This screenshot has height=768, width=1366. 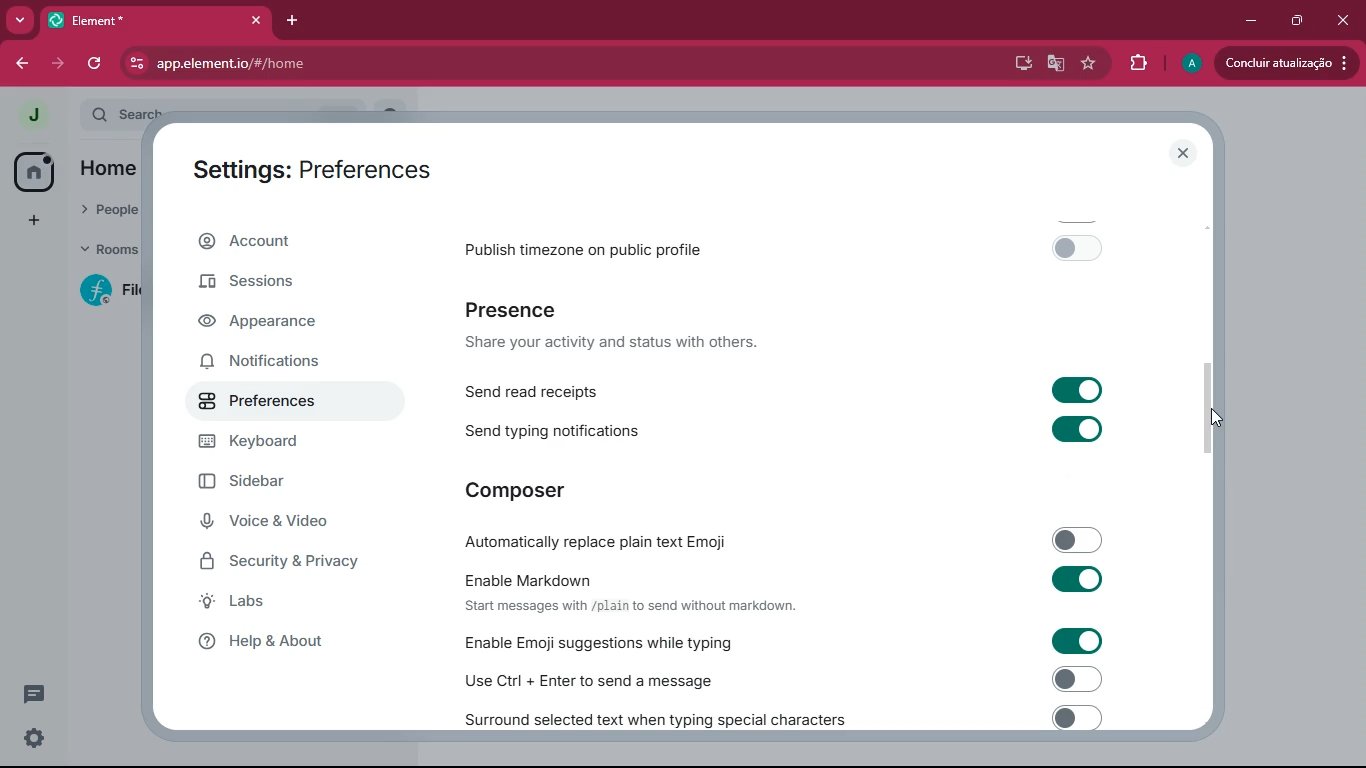 What do you see at coordinates (157, 20) in the screenshot?
I see `tab` at bounding box center [157, 20].